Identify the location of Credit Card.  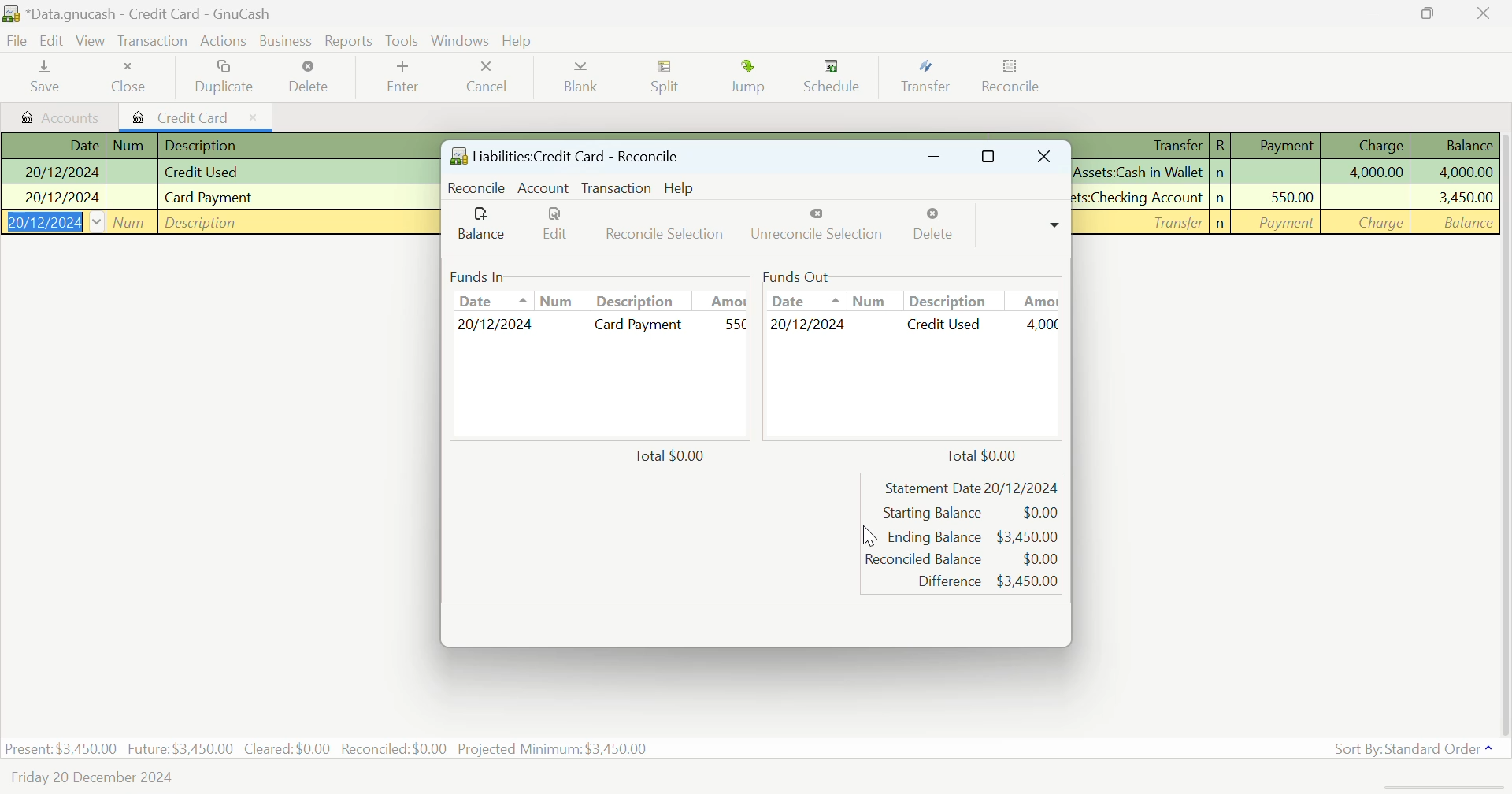
(198, 117).